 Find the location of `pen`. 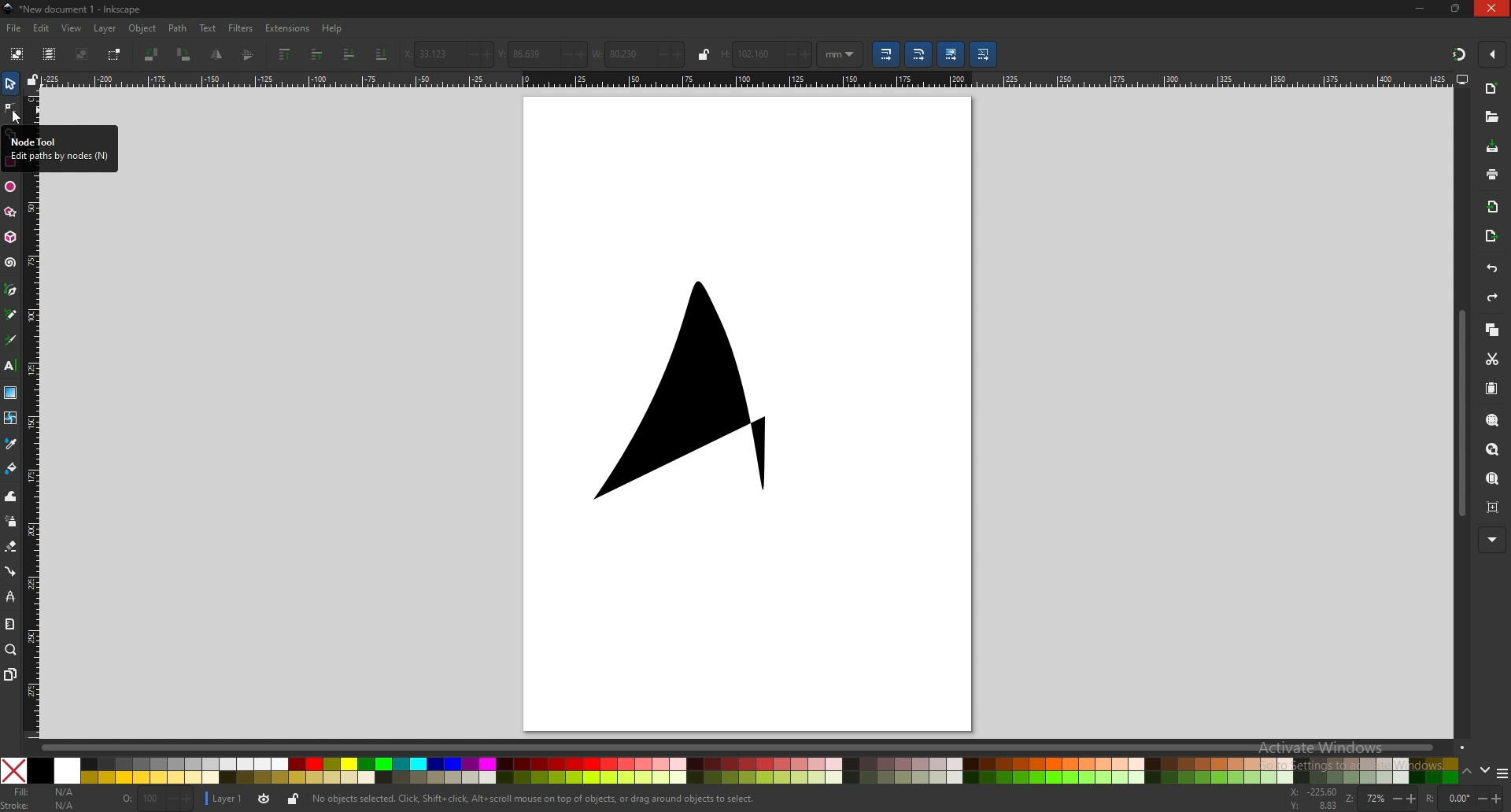

pen is located at coordinates (11, 290).